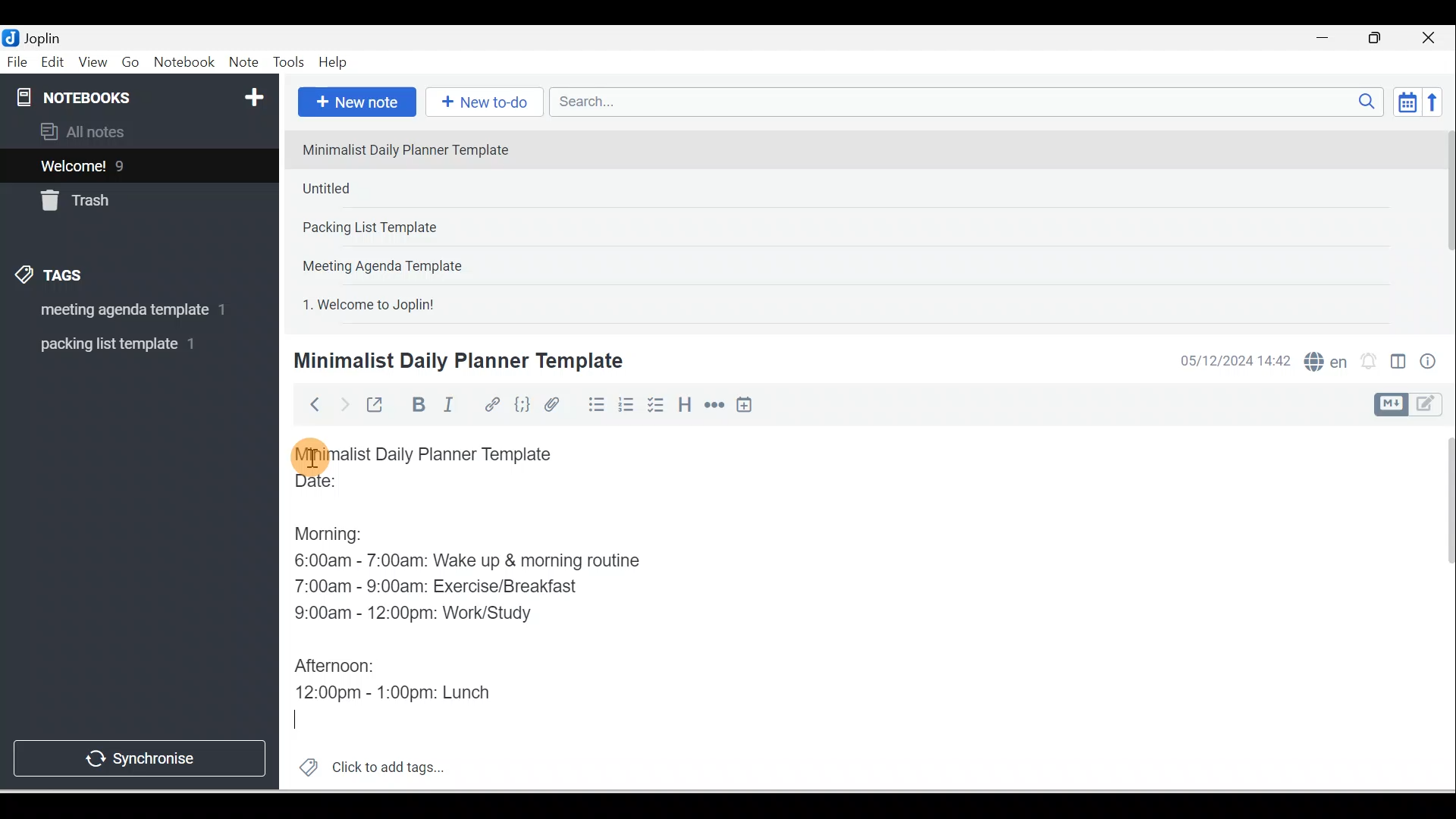  Describe the element at coordinates (184, 63) in the screenshot. I see `Notebook` at that location.